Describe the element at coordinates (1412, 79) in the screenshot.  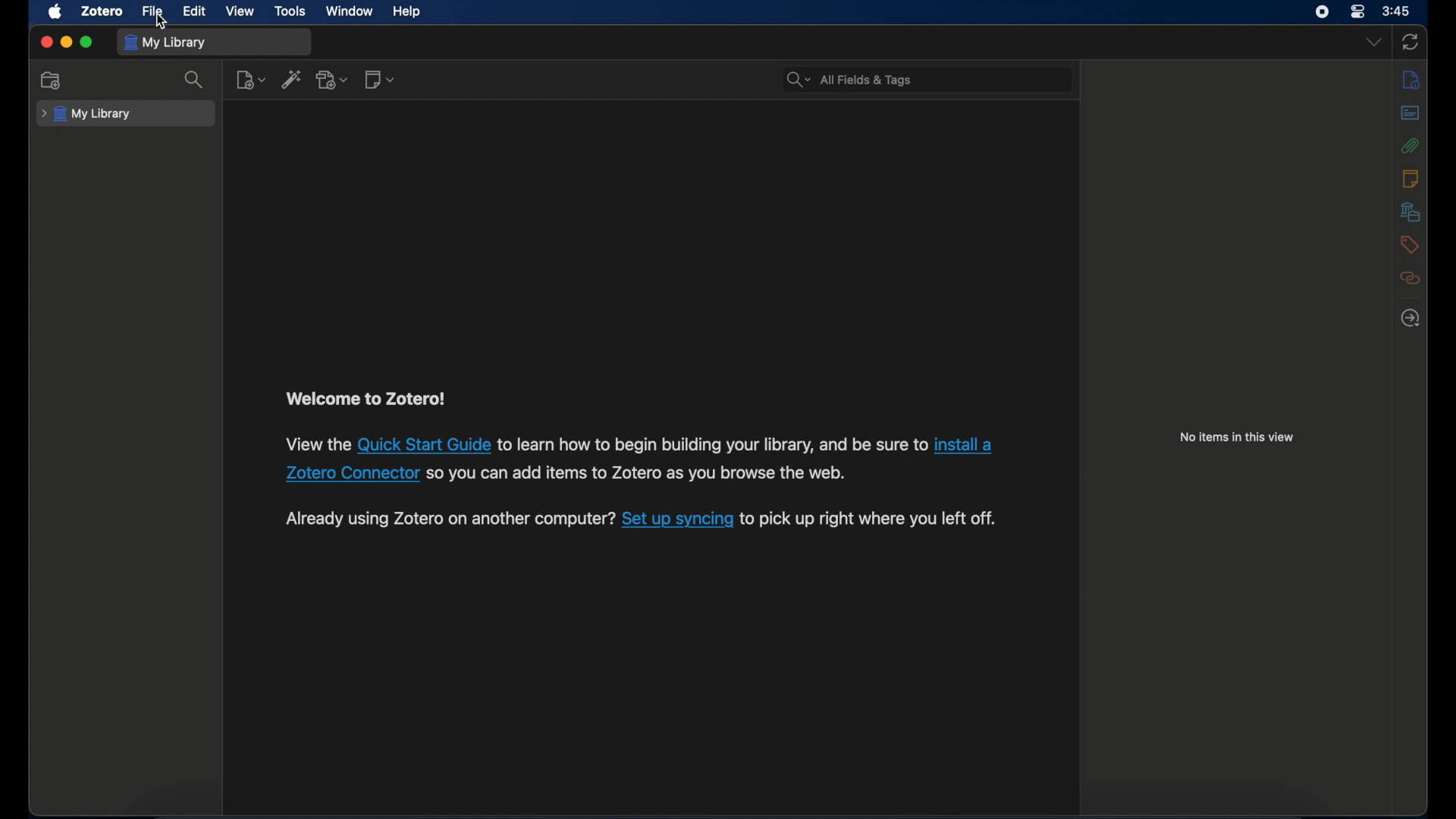
I see `info` at that location.